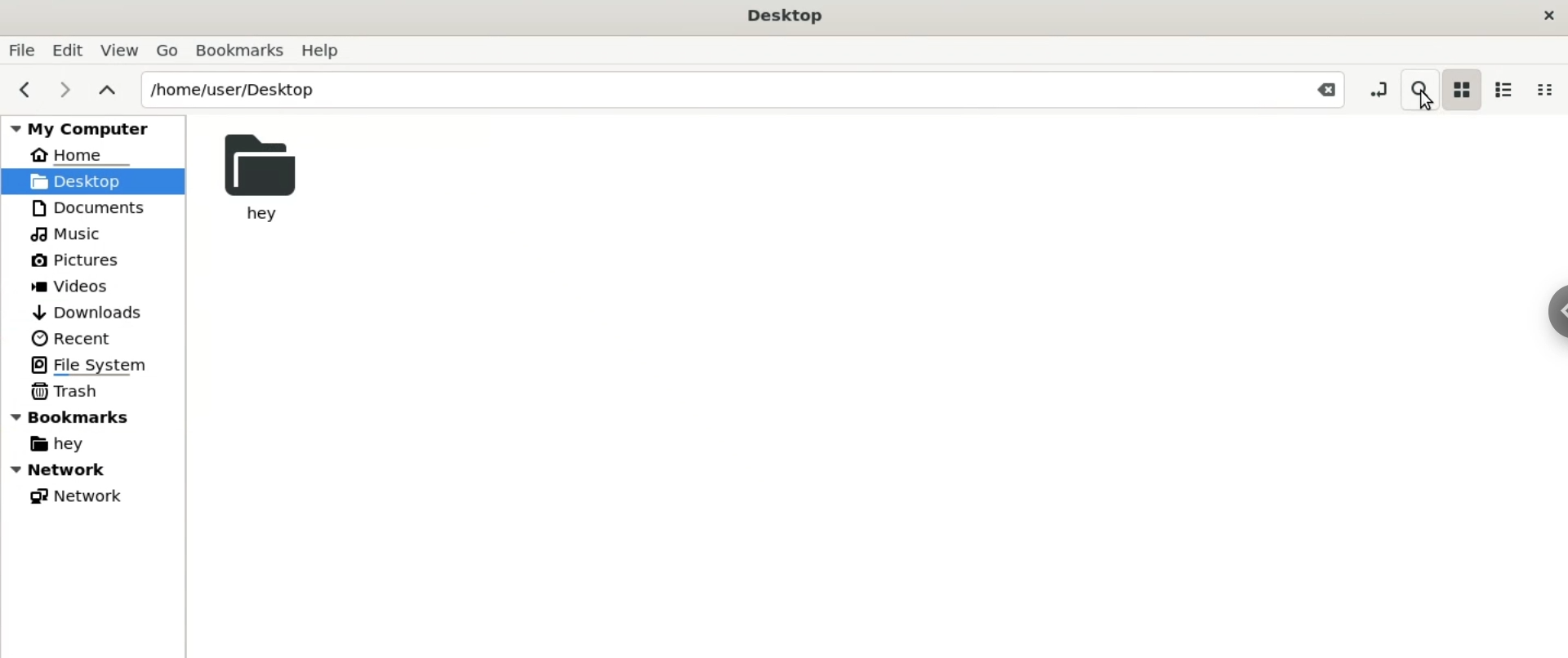 Image resolution: width=1568 pixels, height=658 pixels. I want to click on toggle location entry, so click(1377, 85).